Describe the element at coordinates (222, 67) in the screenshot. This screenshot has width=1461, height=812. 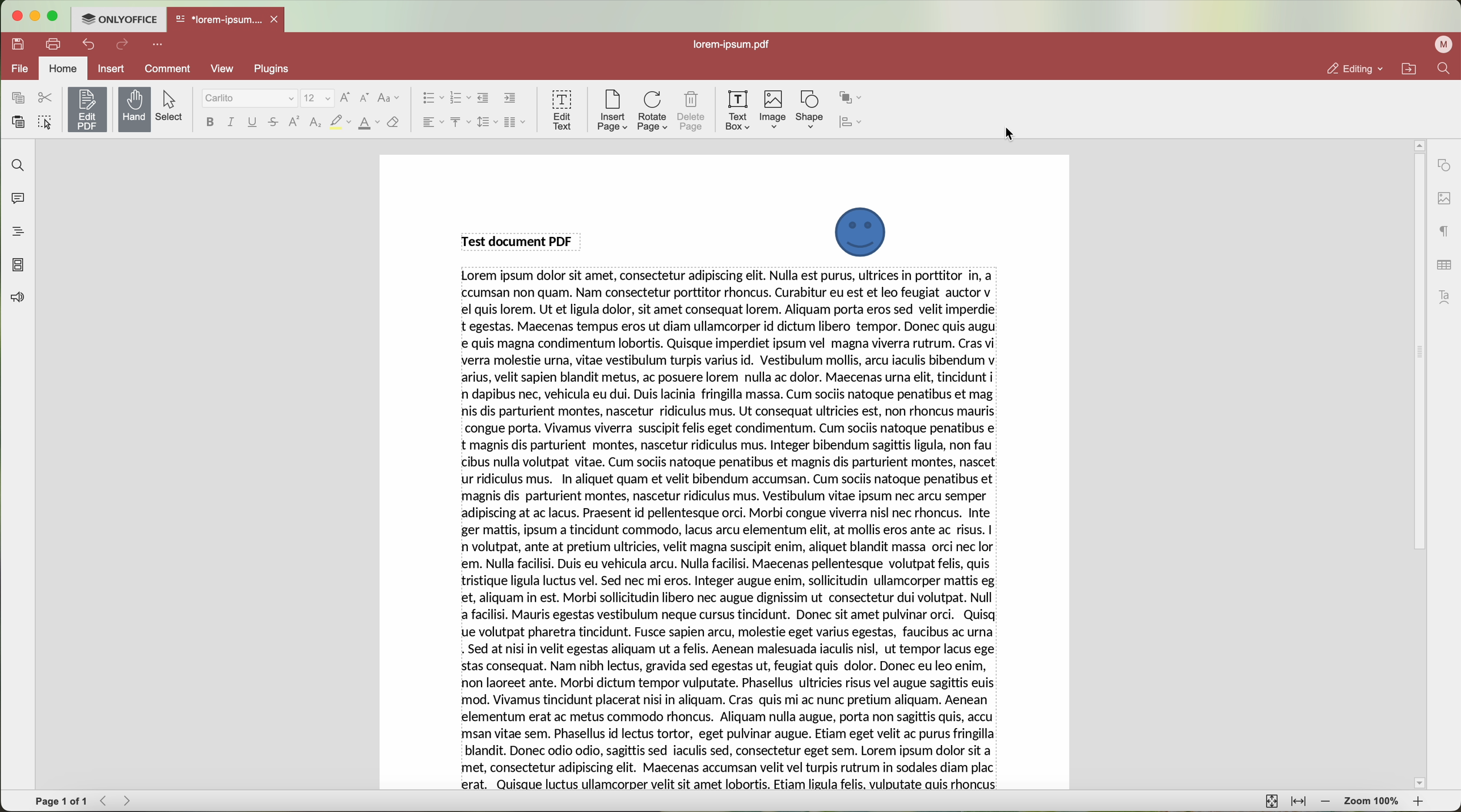
I see `view` at that location.